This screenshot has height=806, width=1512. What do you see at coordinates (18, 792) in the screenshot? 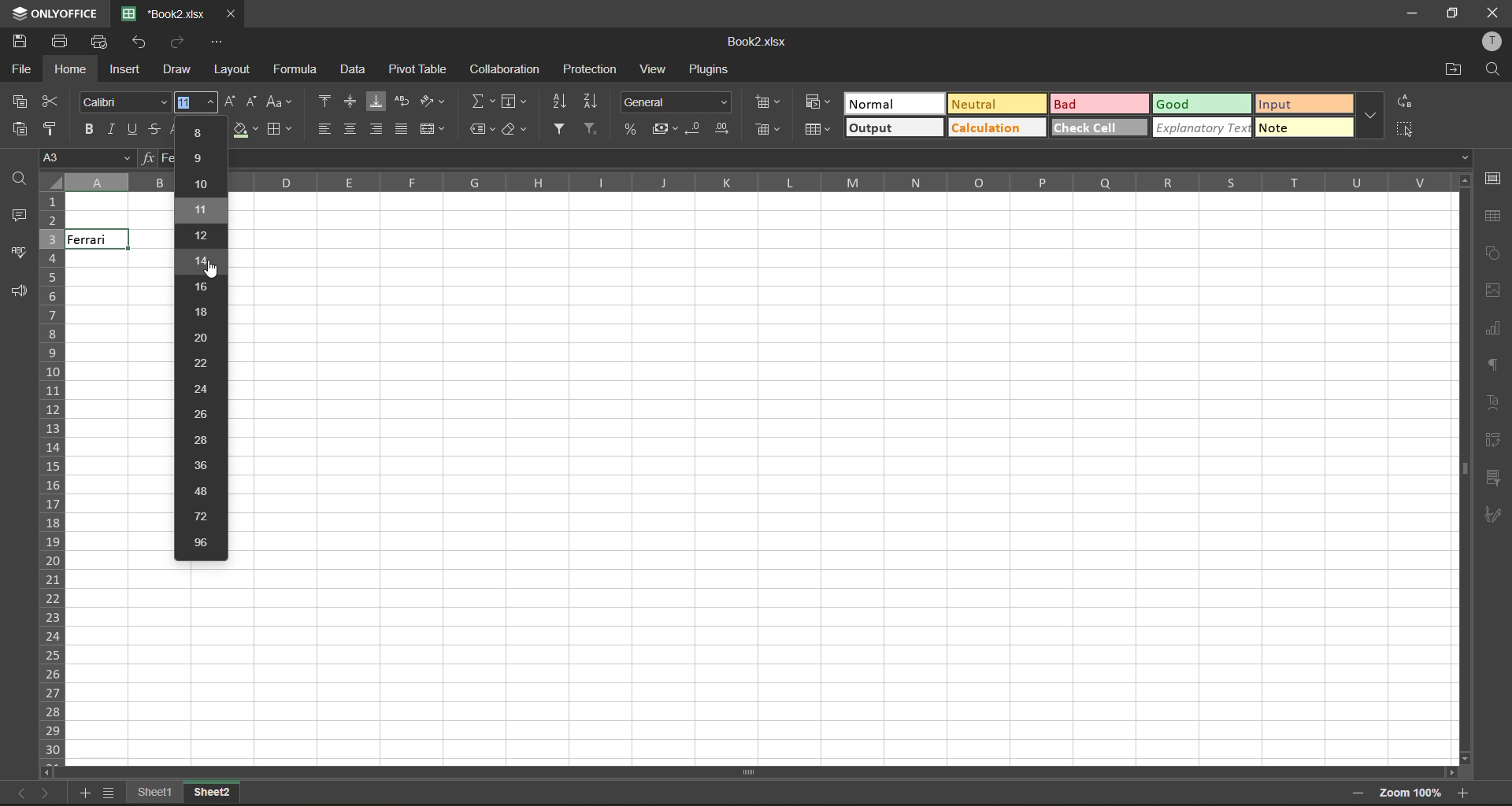
I see `previous` at bounding box center [18, 792].